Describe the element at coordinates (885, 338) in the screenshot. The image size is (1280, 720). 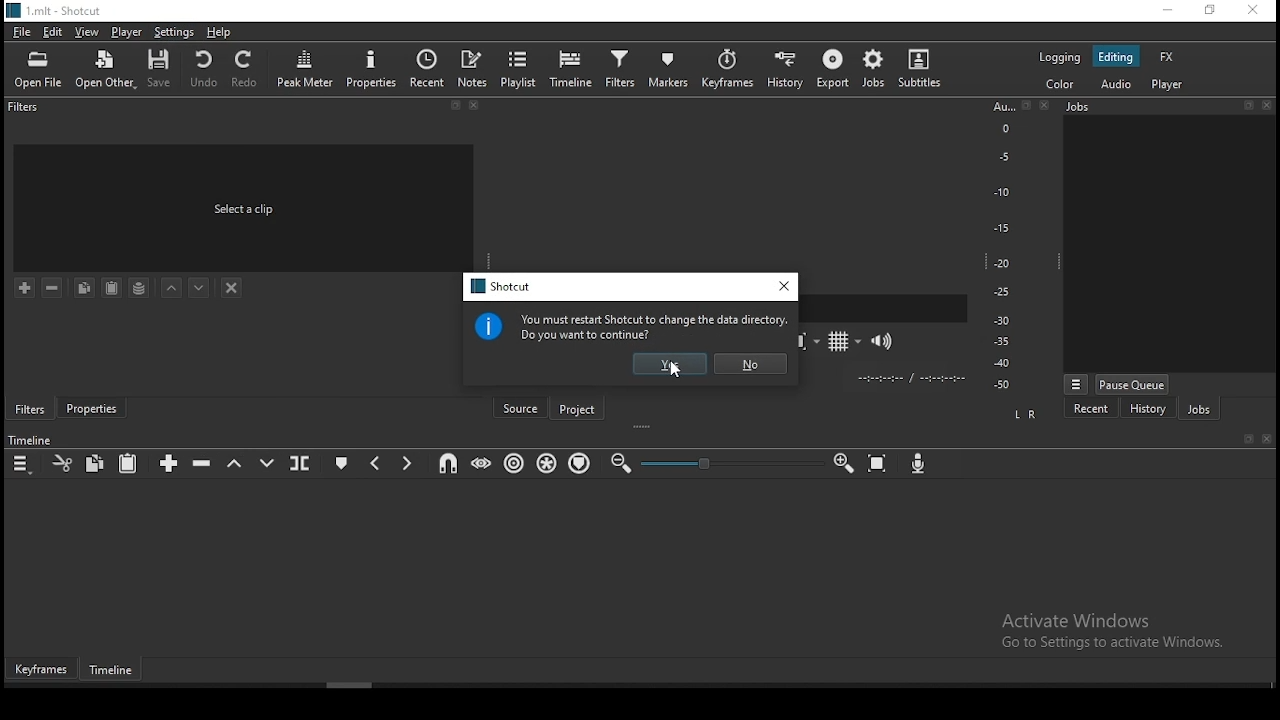
I see `show volume control` at that location.